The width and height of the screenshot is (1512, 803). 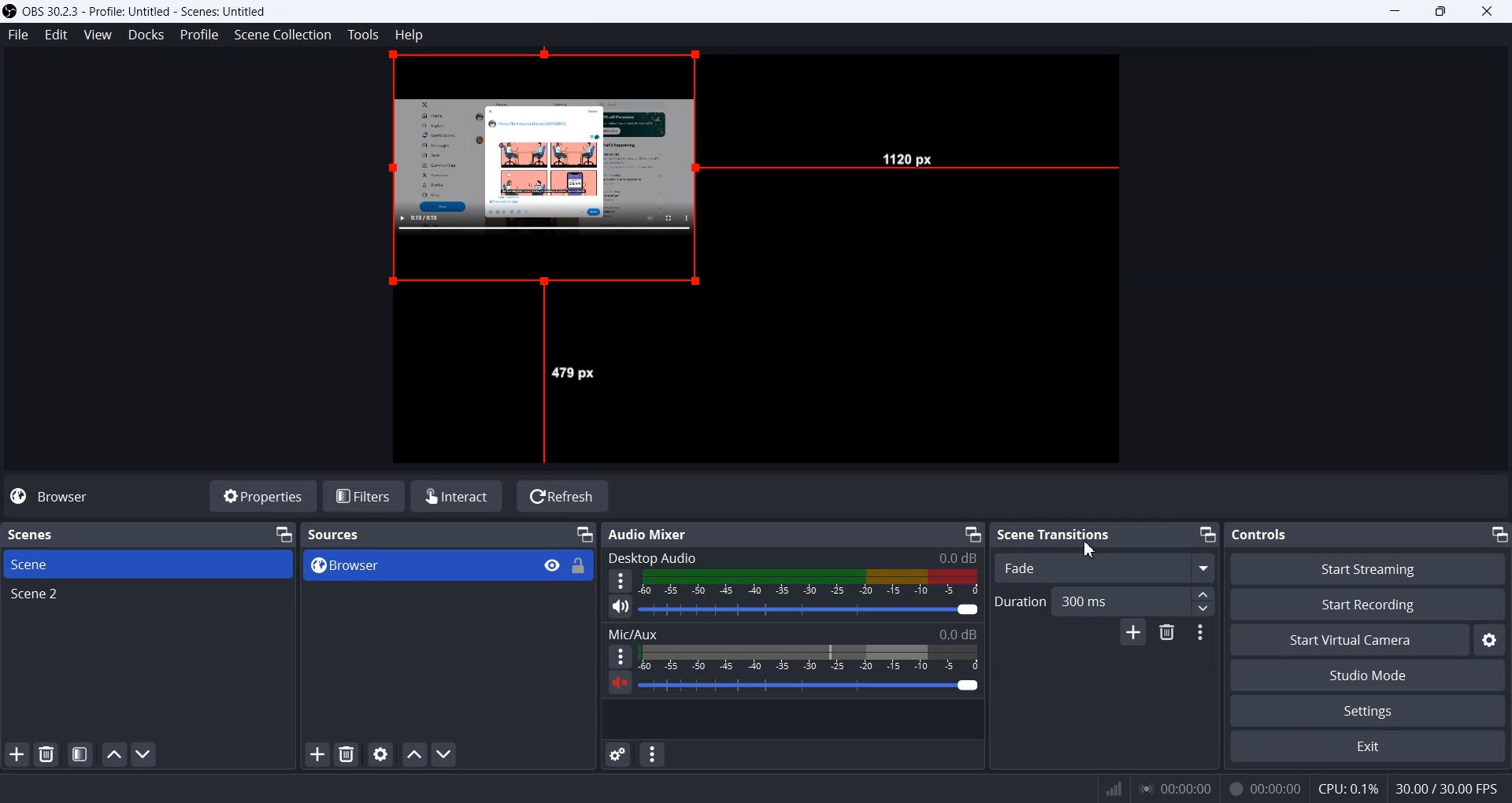 I want to click on Configure virtual camera, so click(x=1492, y=640).